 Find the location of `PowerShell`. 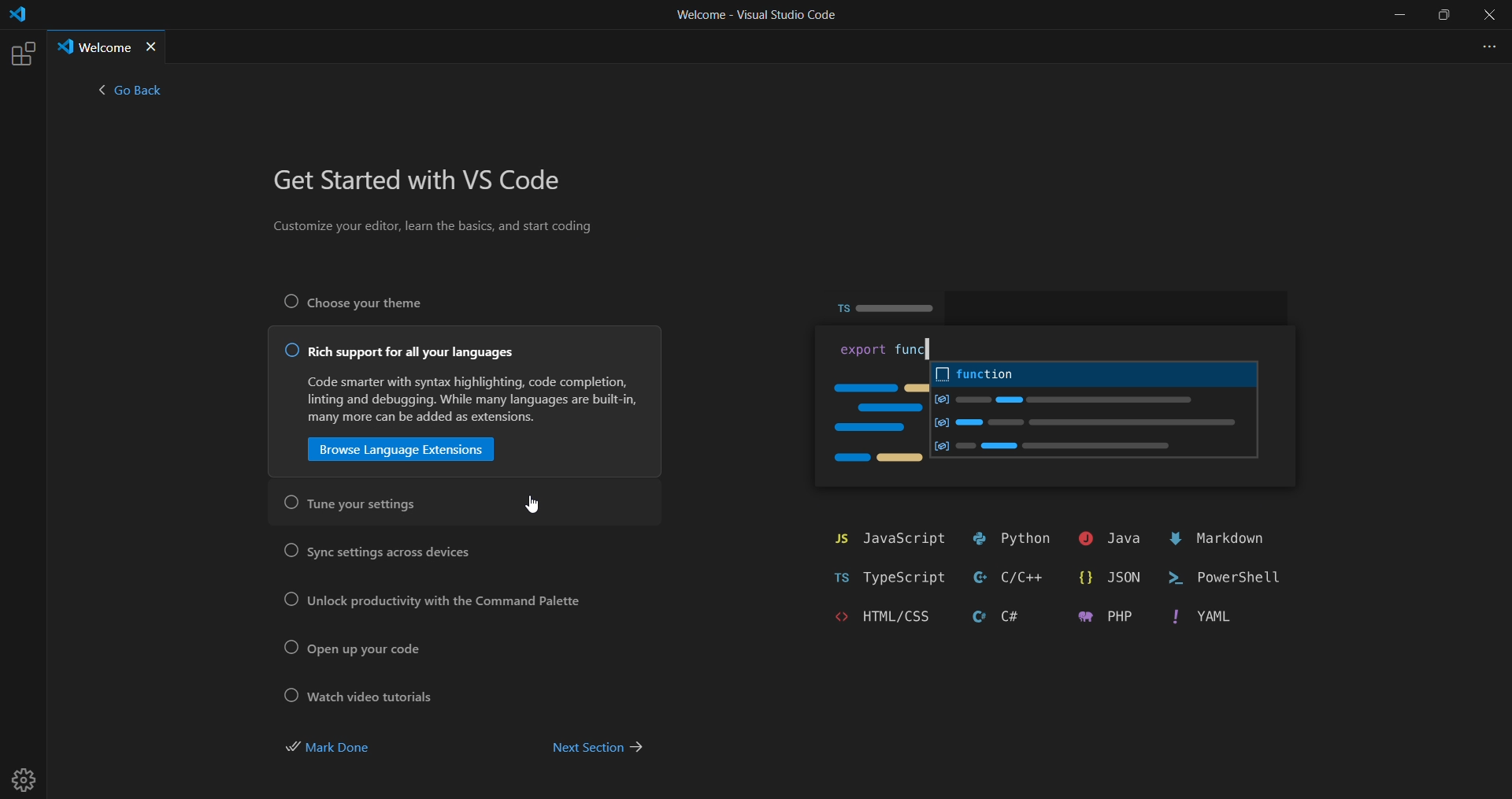

PowerShell is located at coordinates (1232, 581).